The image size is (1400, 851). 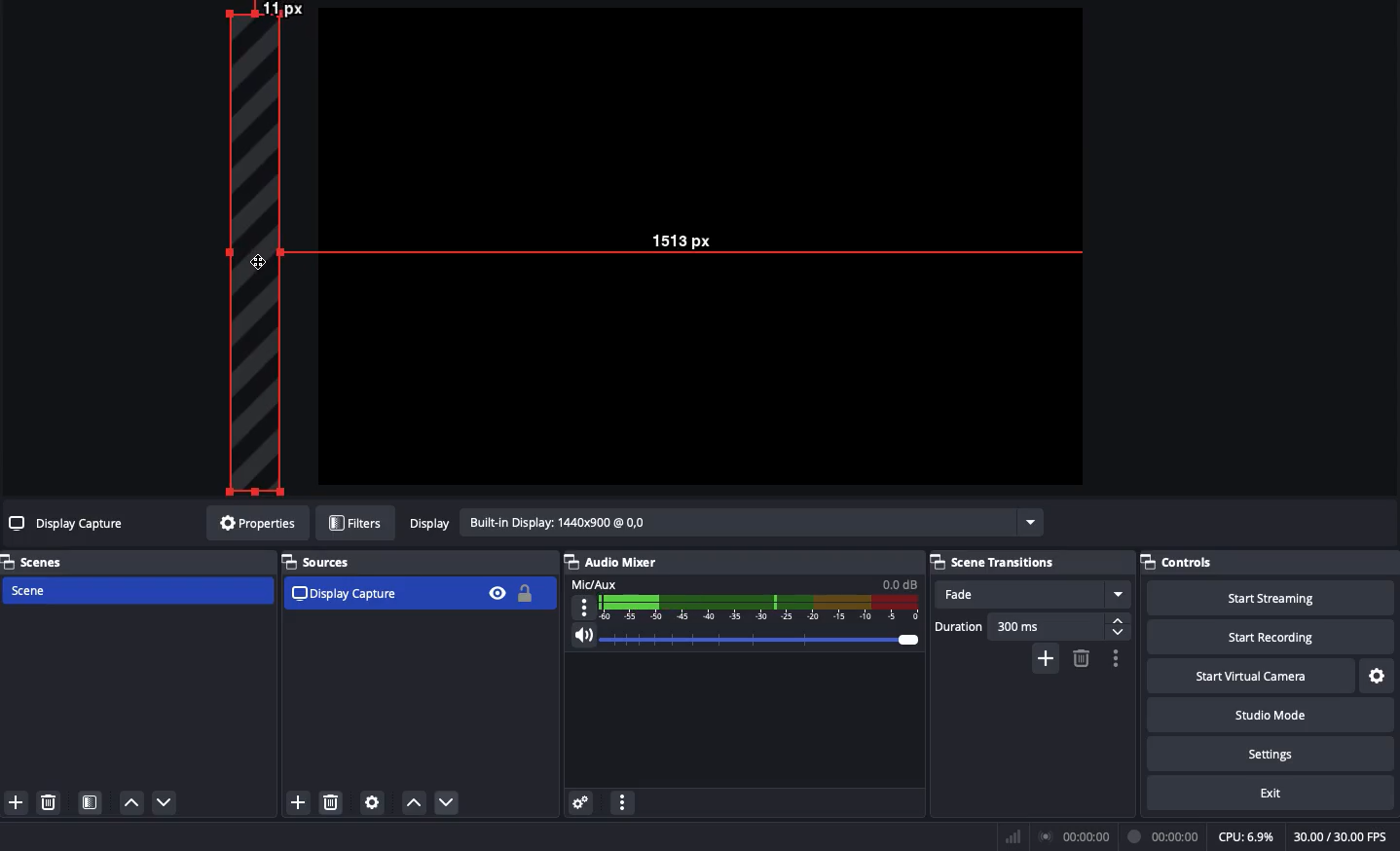 What do you see at coordinates (91, 804) in the screenshot?
I see `Scene filter` at bounding box center [91, 804].